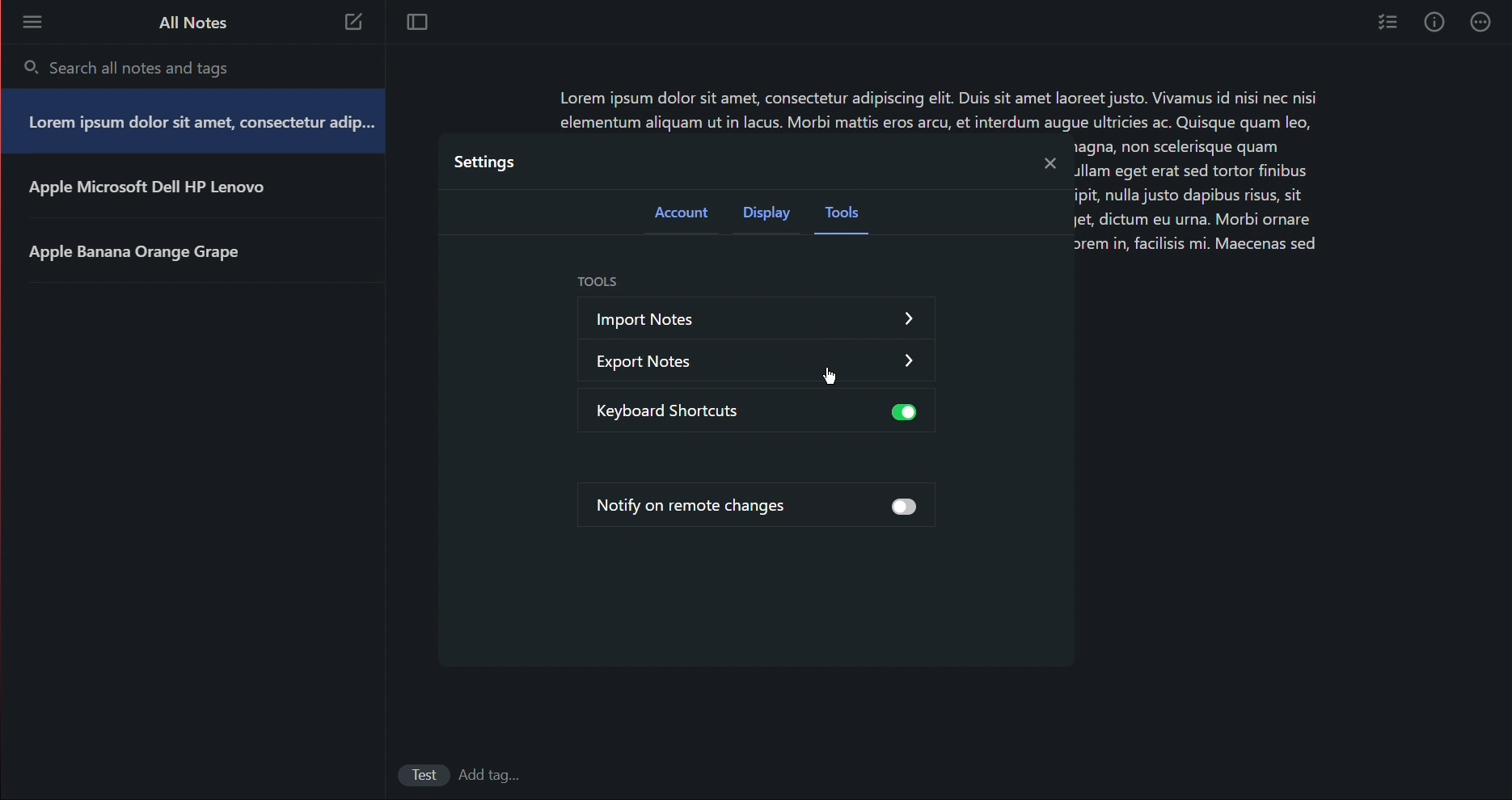 The height and width of the screenshot is (800, 1512). Describe the element at coordinates (420, 24) in the screenshot. I see `Focus Mode` at that location.